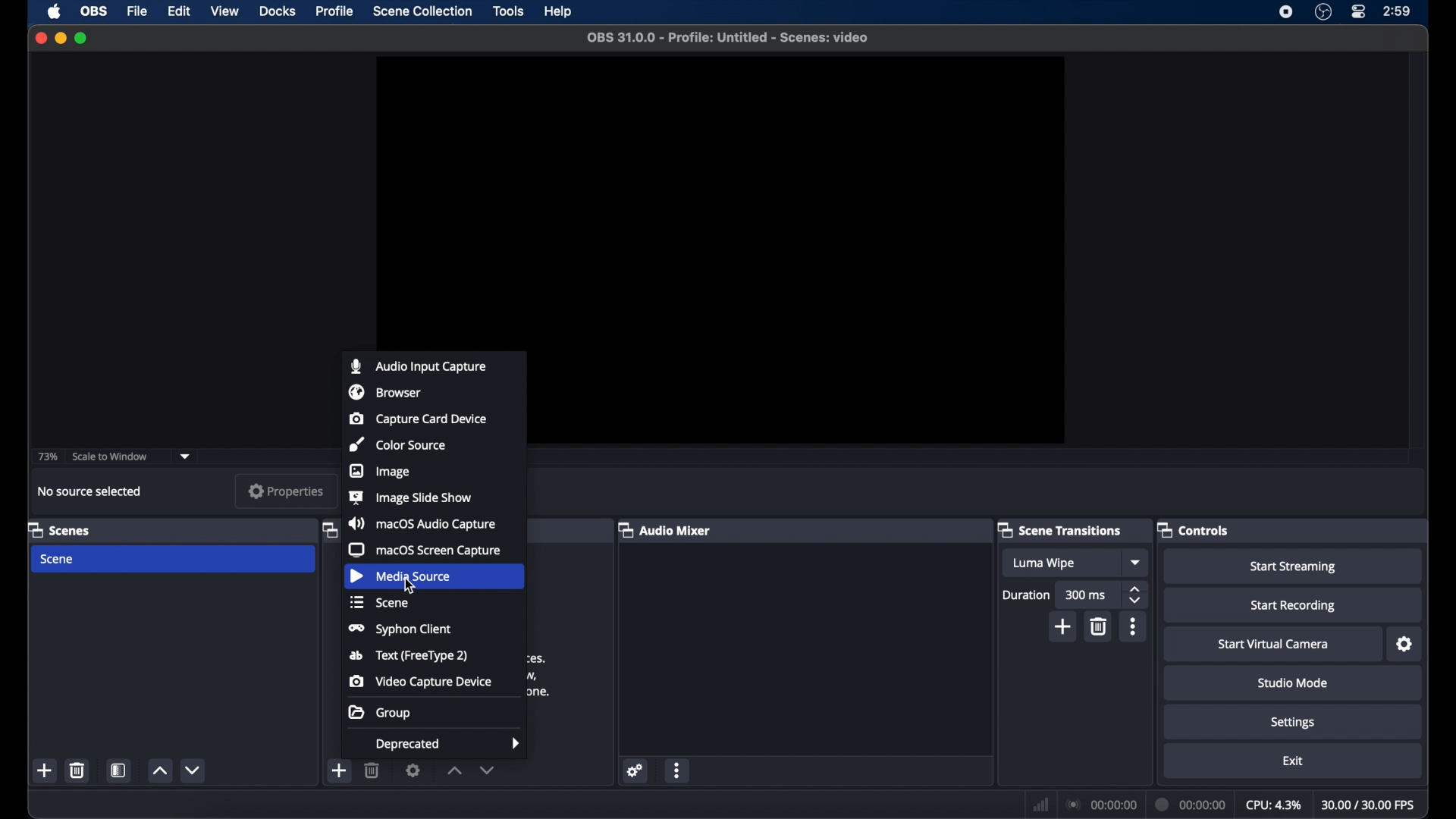  What do you see at coordinates (224, 10) in the screenshot?
I see `view` at bounding box center [224, 10].